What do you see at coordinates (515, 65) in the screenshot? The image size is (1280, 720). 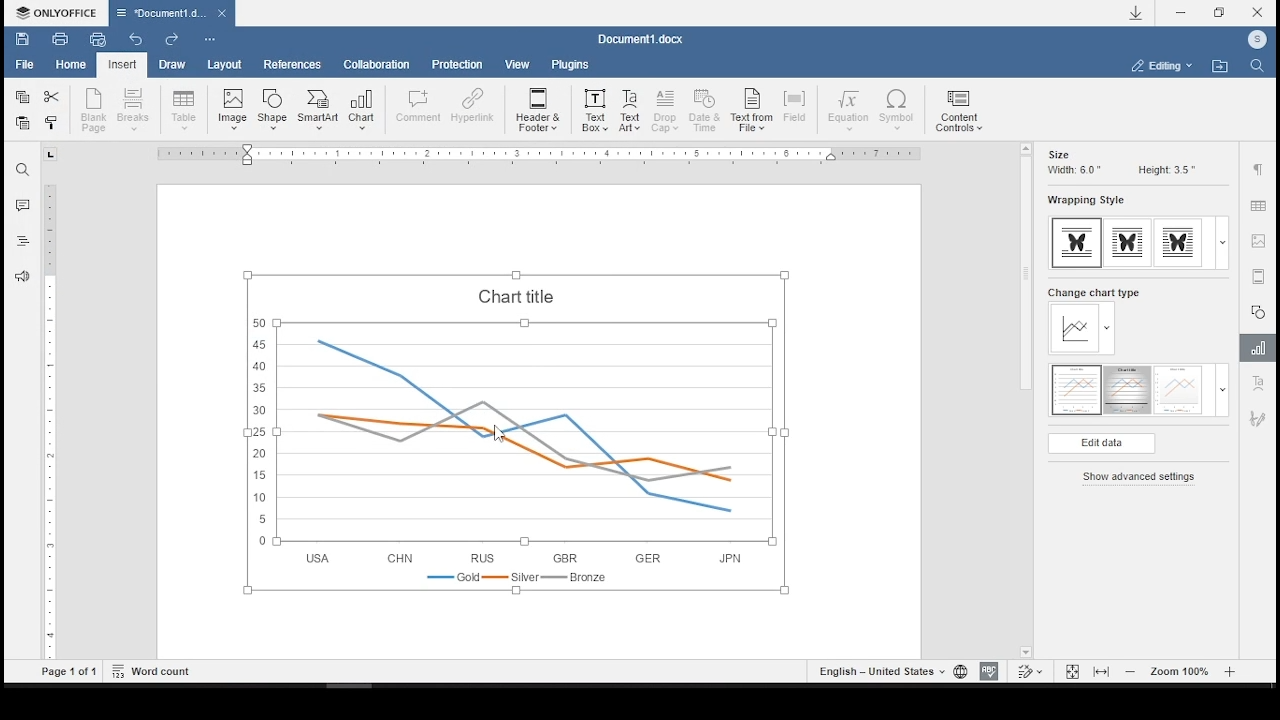 I see `view` at bounding box center [515, 65].